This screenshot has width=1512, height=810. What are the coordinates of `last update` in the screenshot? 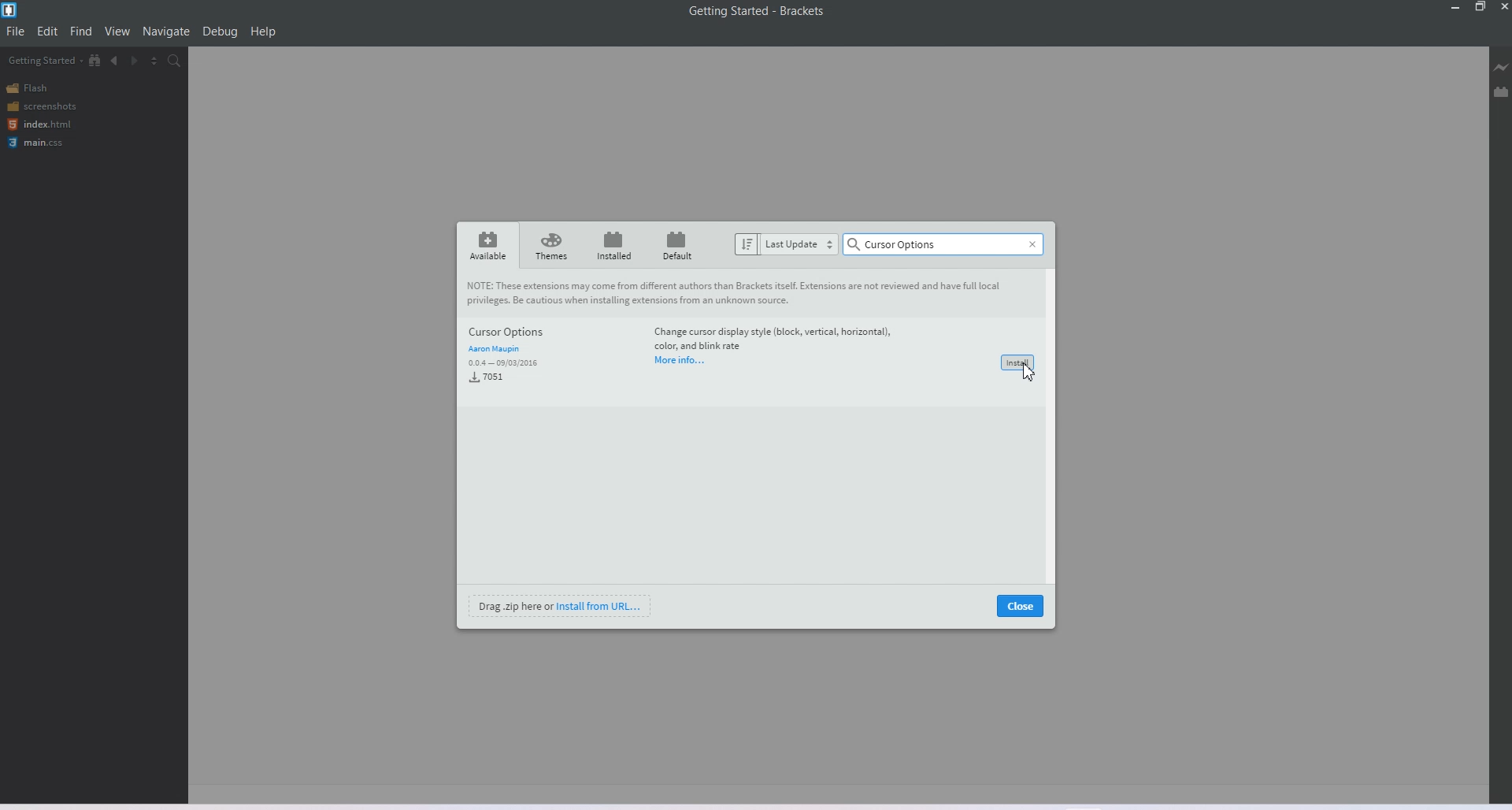 It's located at (800, 244).